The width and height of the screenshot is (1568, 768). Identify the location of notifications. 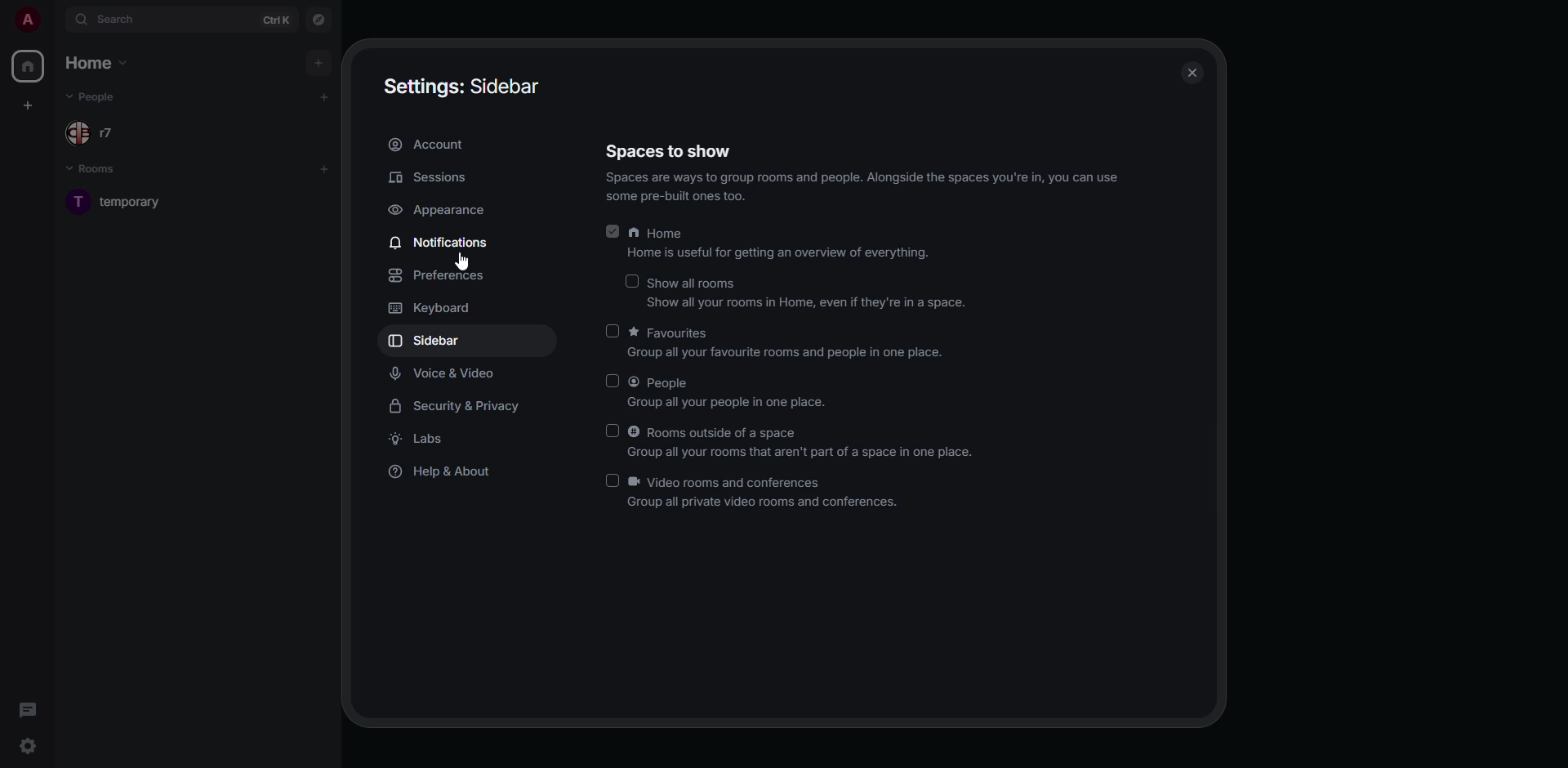
(443, 241).